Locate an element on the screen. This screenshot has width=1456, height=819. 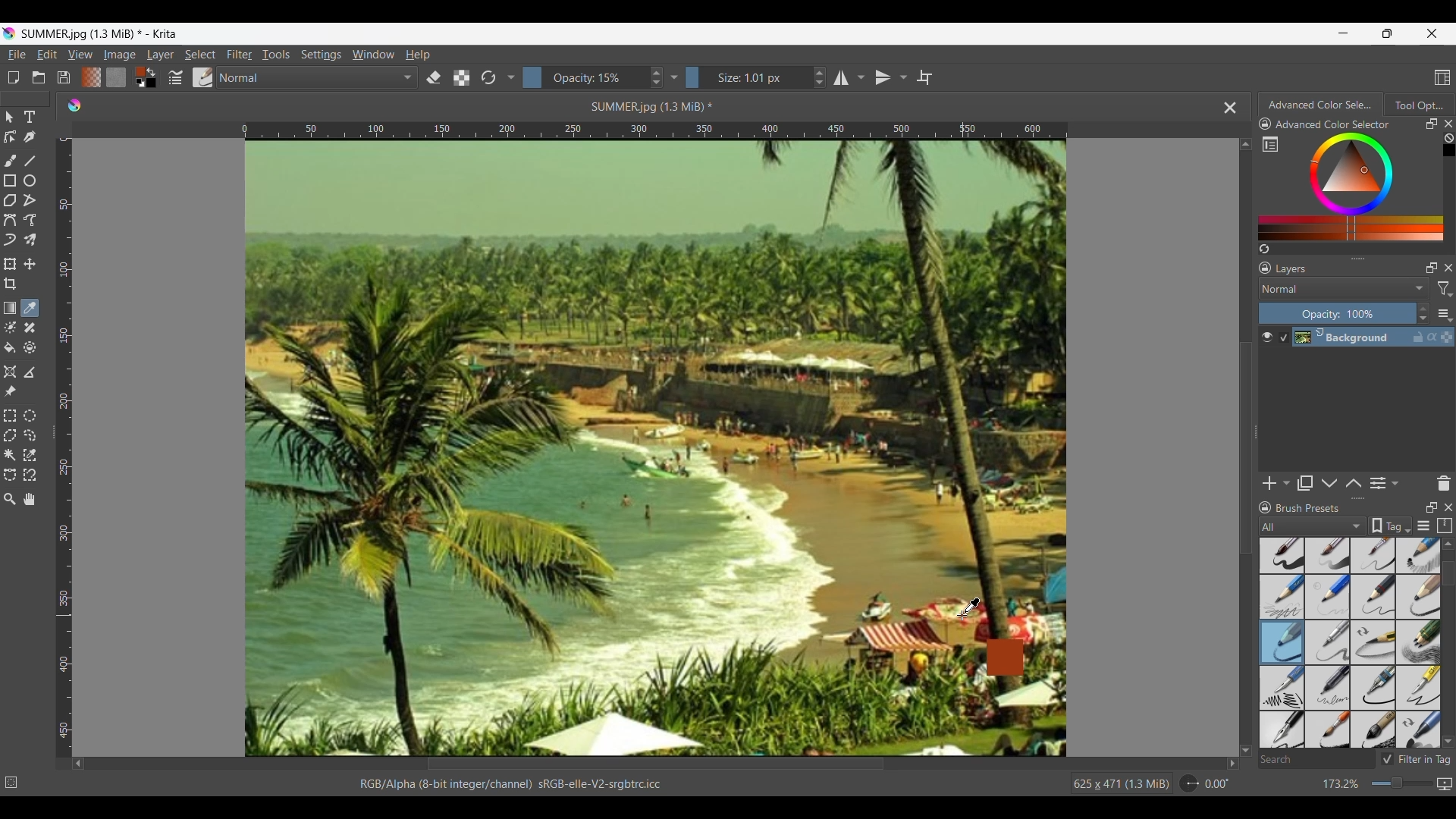
Quick slide to bottom is located at coordinates (1246, 751).